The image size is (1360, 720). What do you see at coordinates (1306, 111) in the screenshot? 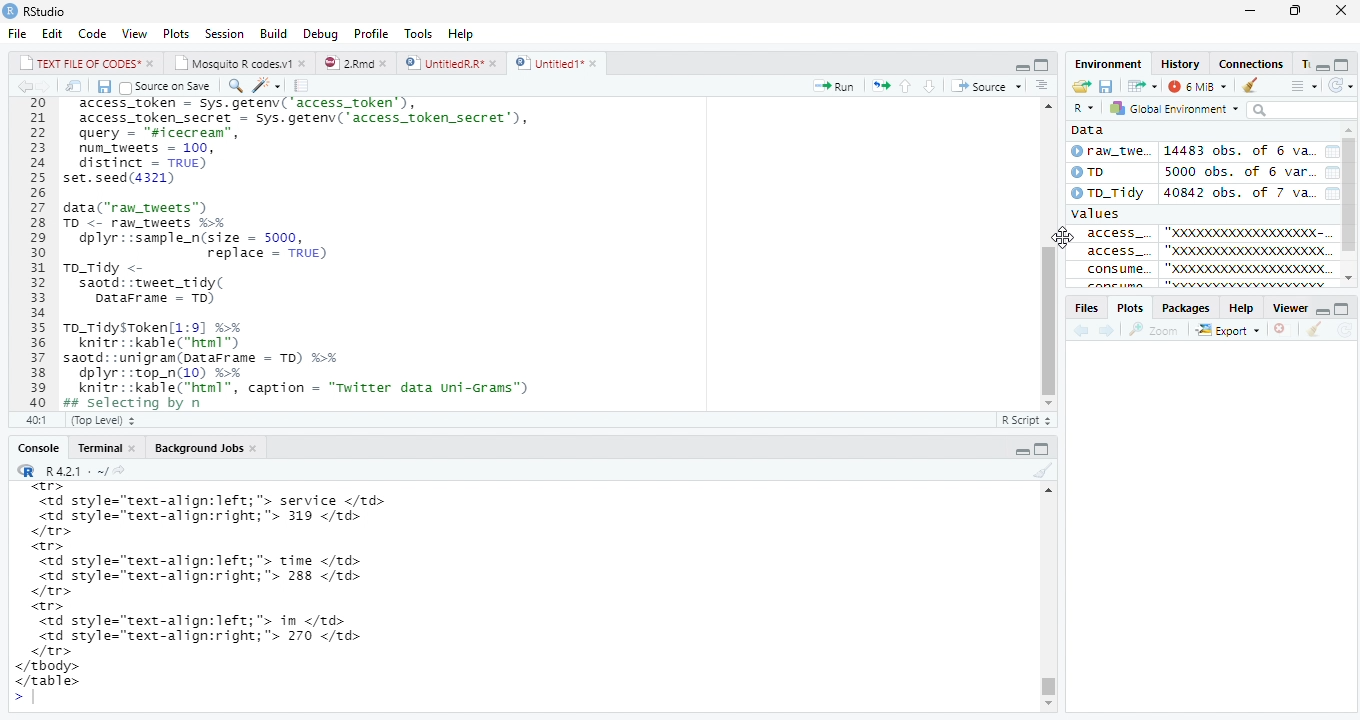
I see `searchbar` at bounding box center [1306, 111].